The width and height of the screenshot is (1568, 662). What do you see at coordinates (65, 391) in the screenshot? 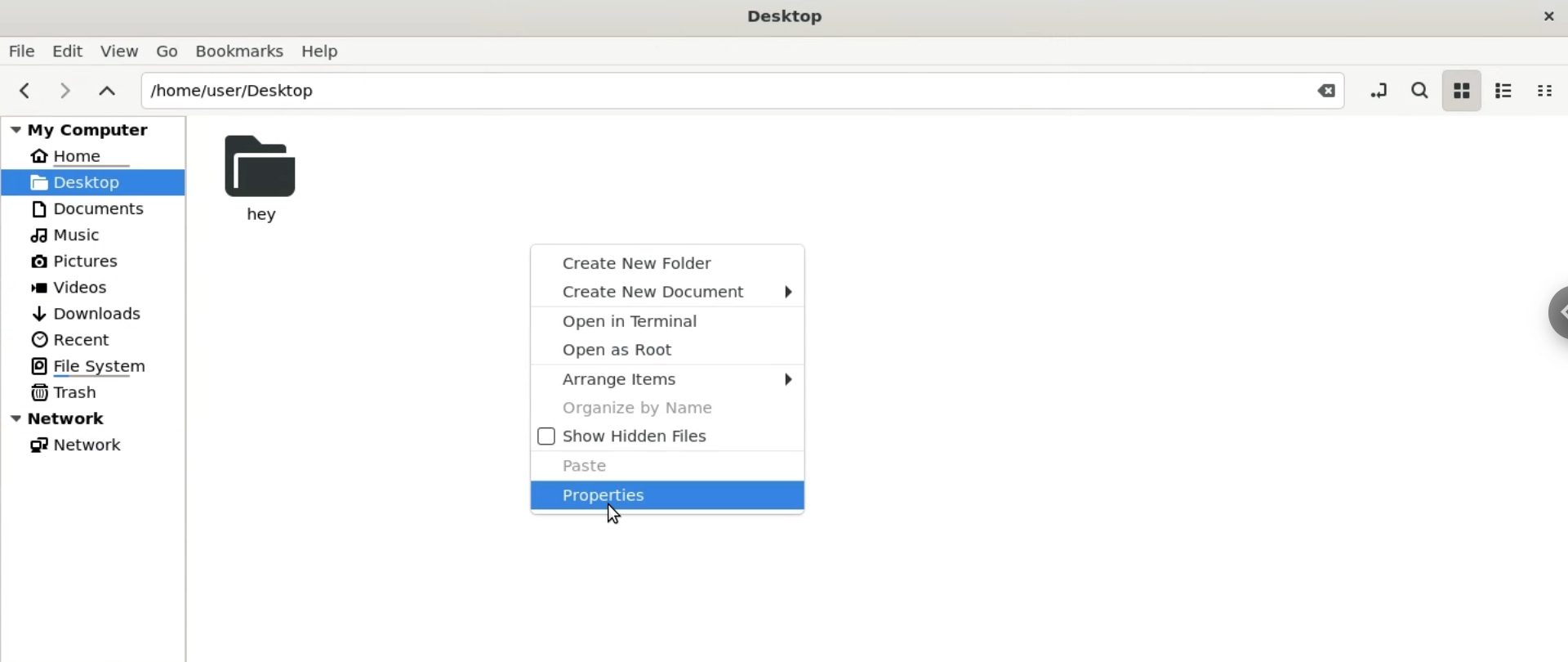
I see `trash` at bounding box center [65, 391].